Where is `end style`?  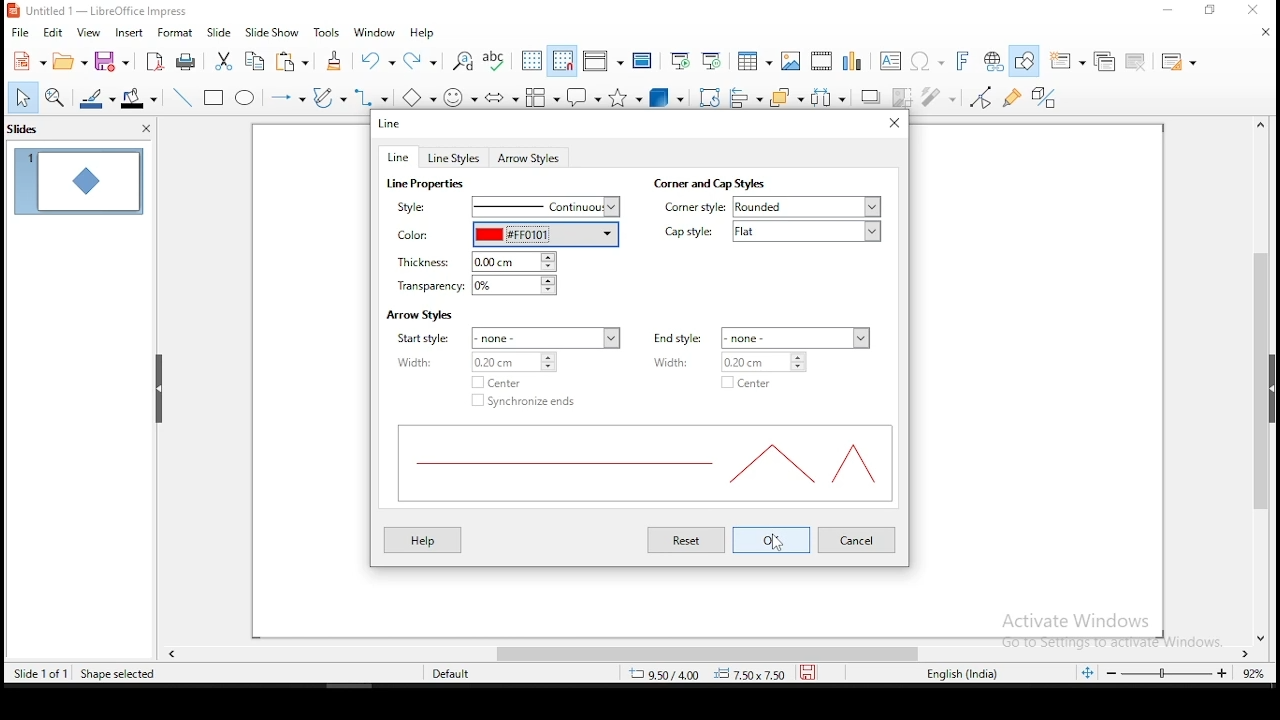
end style is located at coordinates (678, 338).